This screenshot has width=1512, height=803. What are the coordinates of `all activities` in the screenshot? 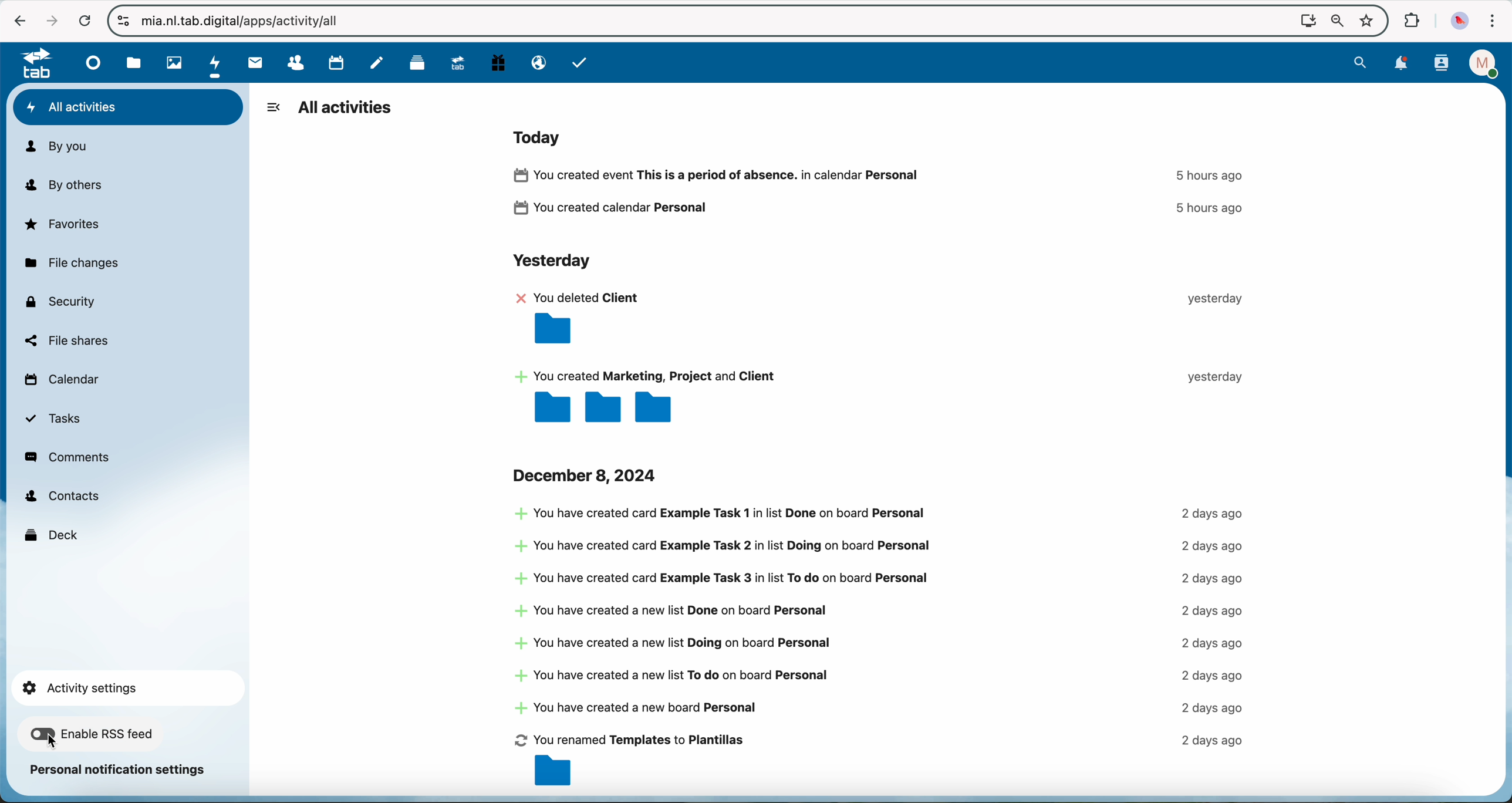 It's located at (346, 109).